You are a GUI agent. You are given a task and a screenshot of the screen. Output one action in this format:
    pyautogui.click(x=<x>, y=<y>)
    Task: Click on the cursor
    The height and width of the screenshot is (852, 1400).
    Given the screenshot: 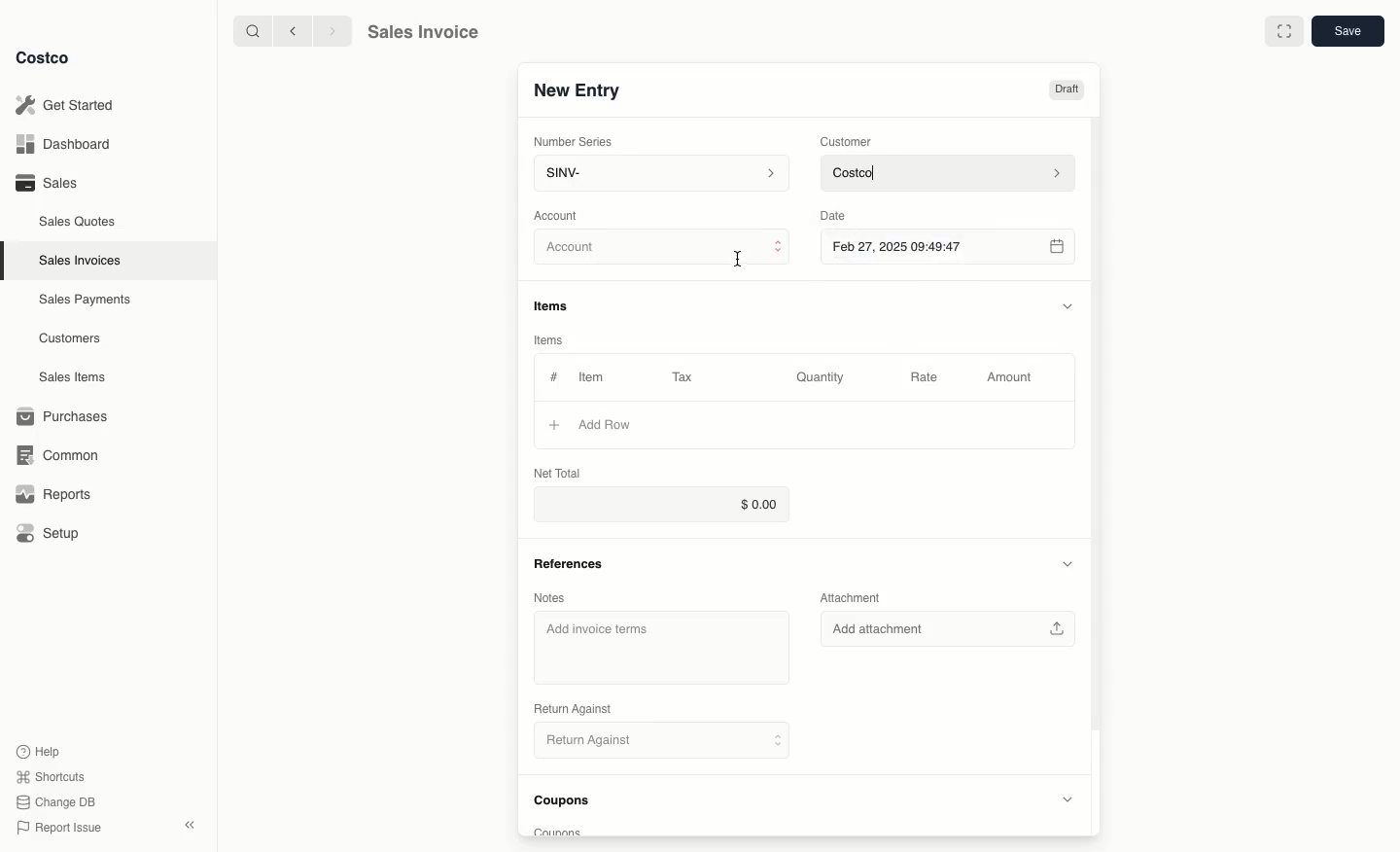 What is the action you would take?
    pyautogui.click(x=738, y=262)
    